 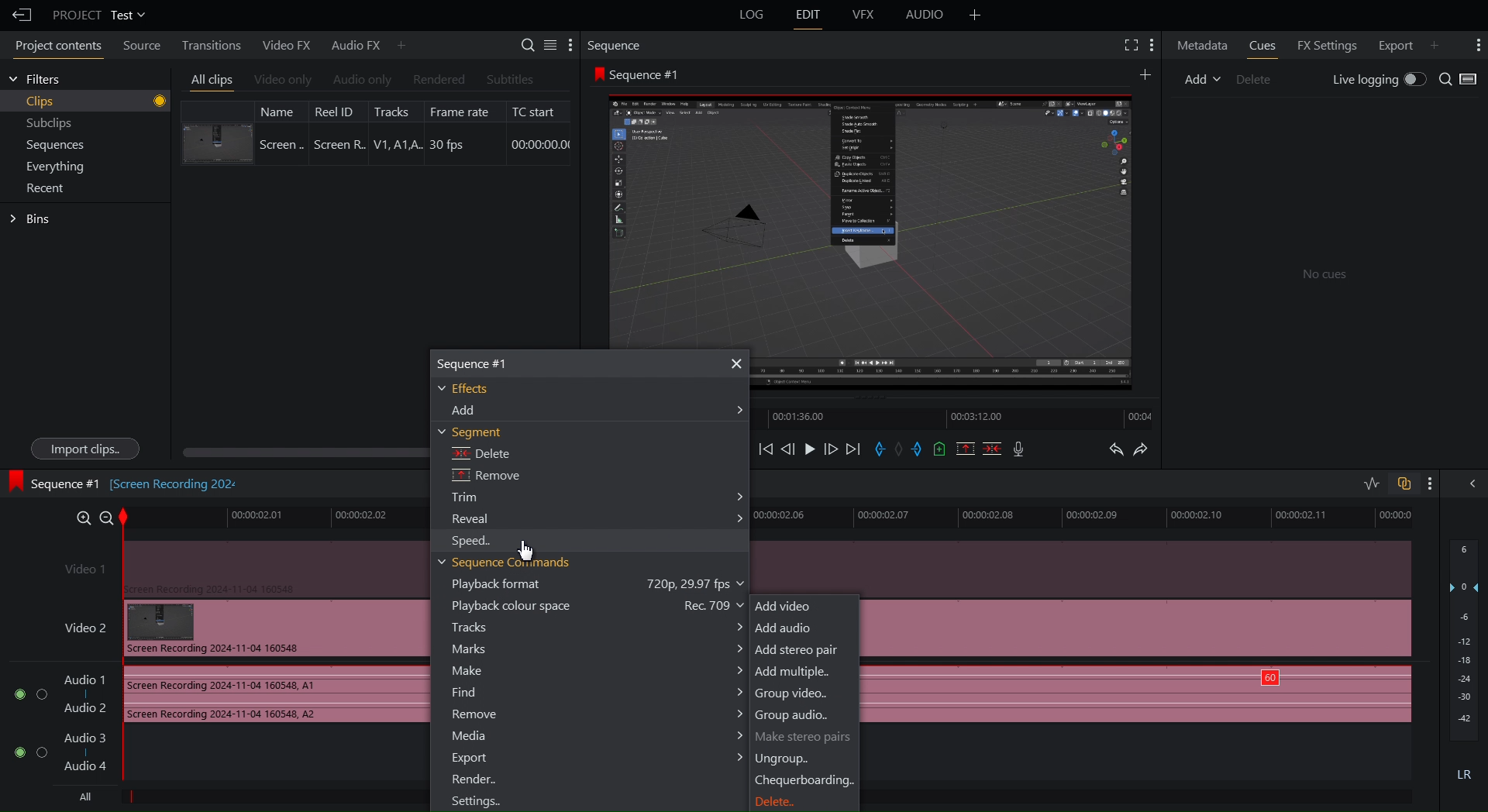 What do you see at coordinates (1459, 80) in the screenshot?
I see `Search` at bounding box center [1459, 80].